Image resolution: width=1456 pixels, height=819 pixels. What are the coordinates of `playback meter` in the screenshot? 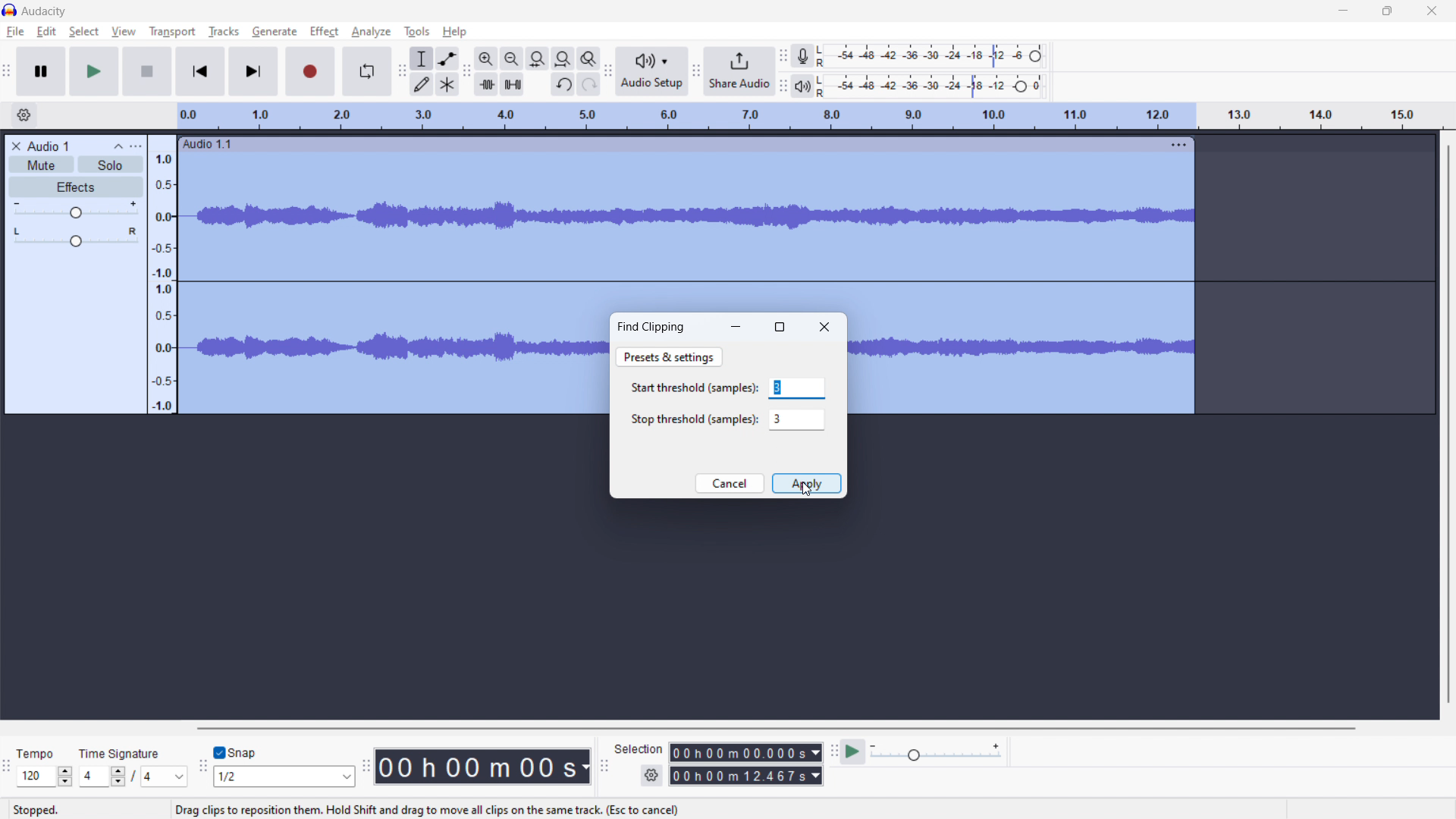 It's located at (803, 86).